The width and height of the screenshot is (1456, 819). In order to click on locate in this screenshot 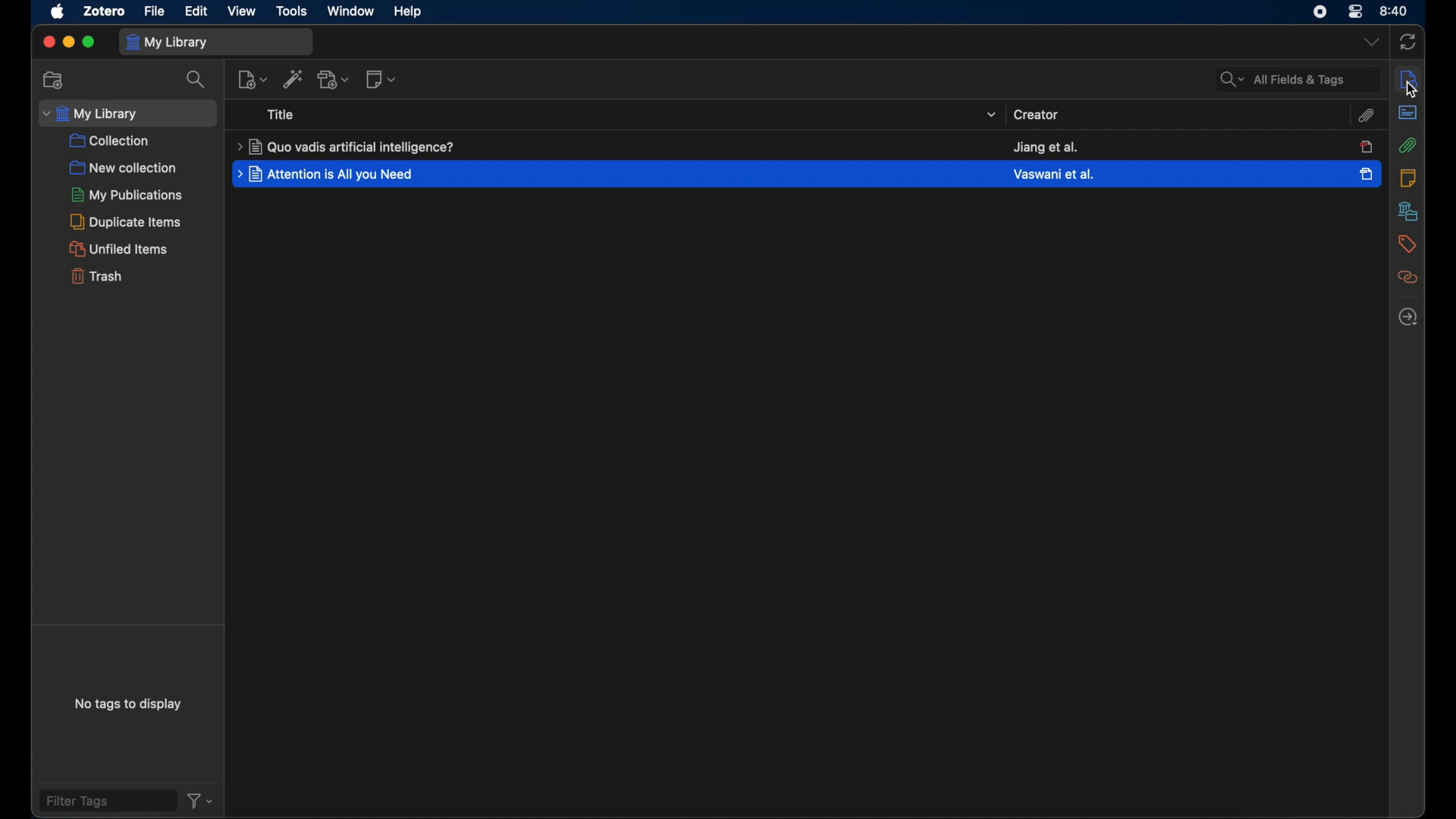, I will do `click(1408, 317)`.